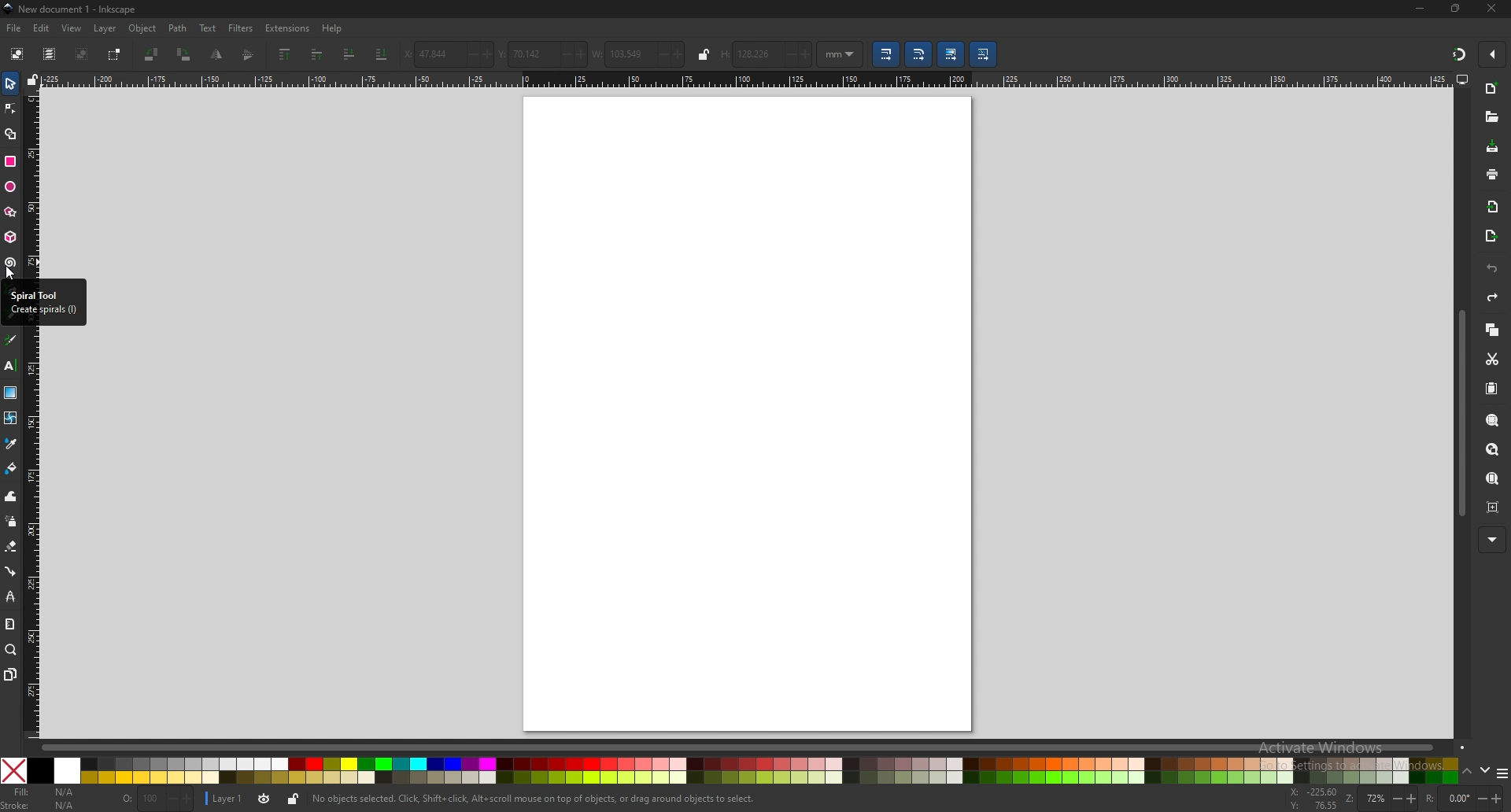 The image size is (1511, 812). Describe the element at coordinates (730, 771) in the screenshot. I see `colors` at that location.